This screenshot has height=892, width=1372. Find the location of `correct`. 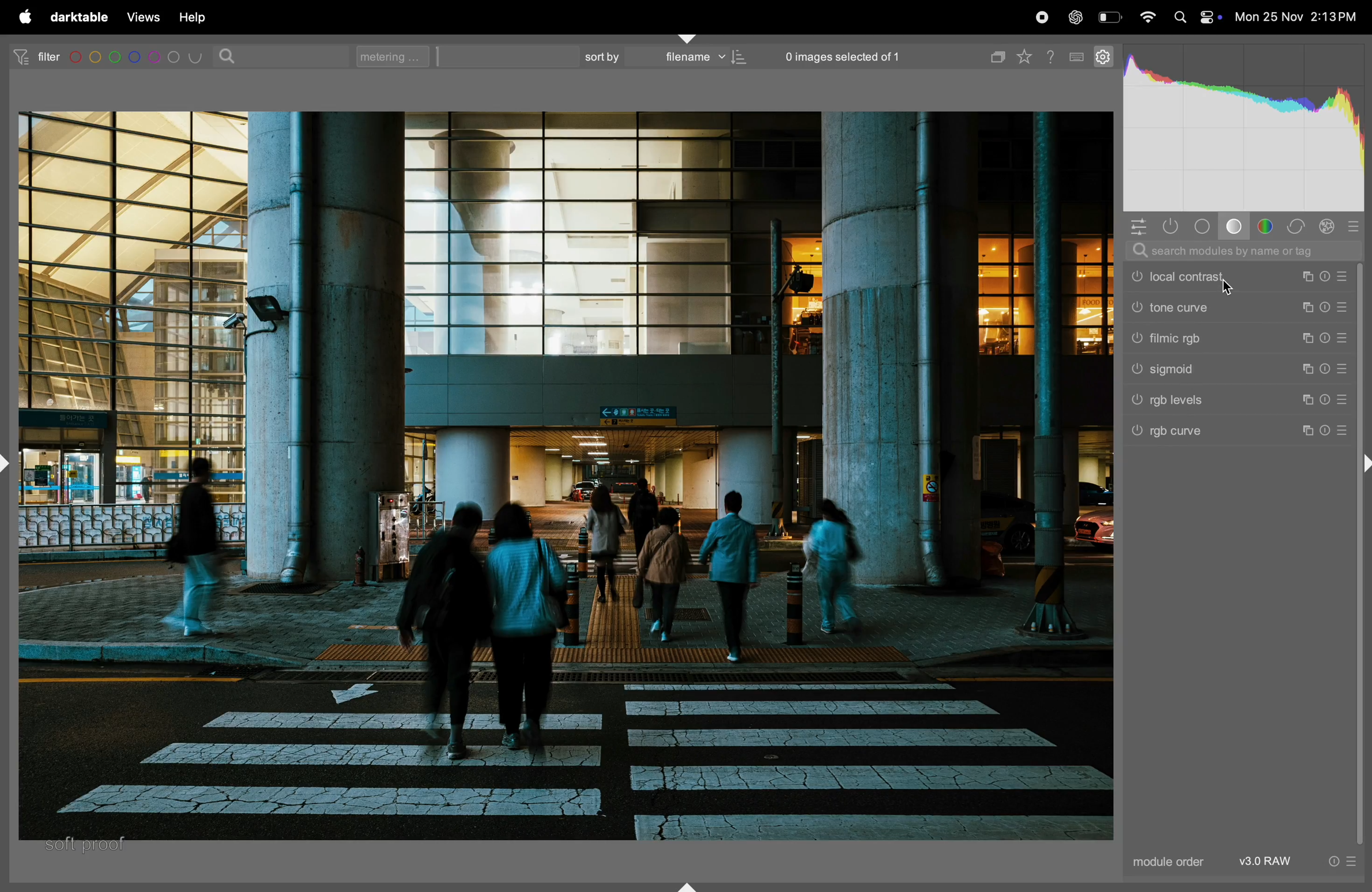

correct is located at coordinates (1297, 227).